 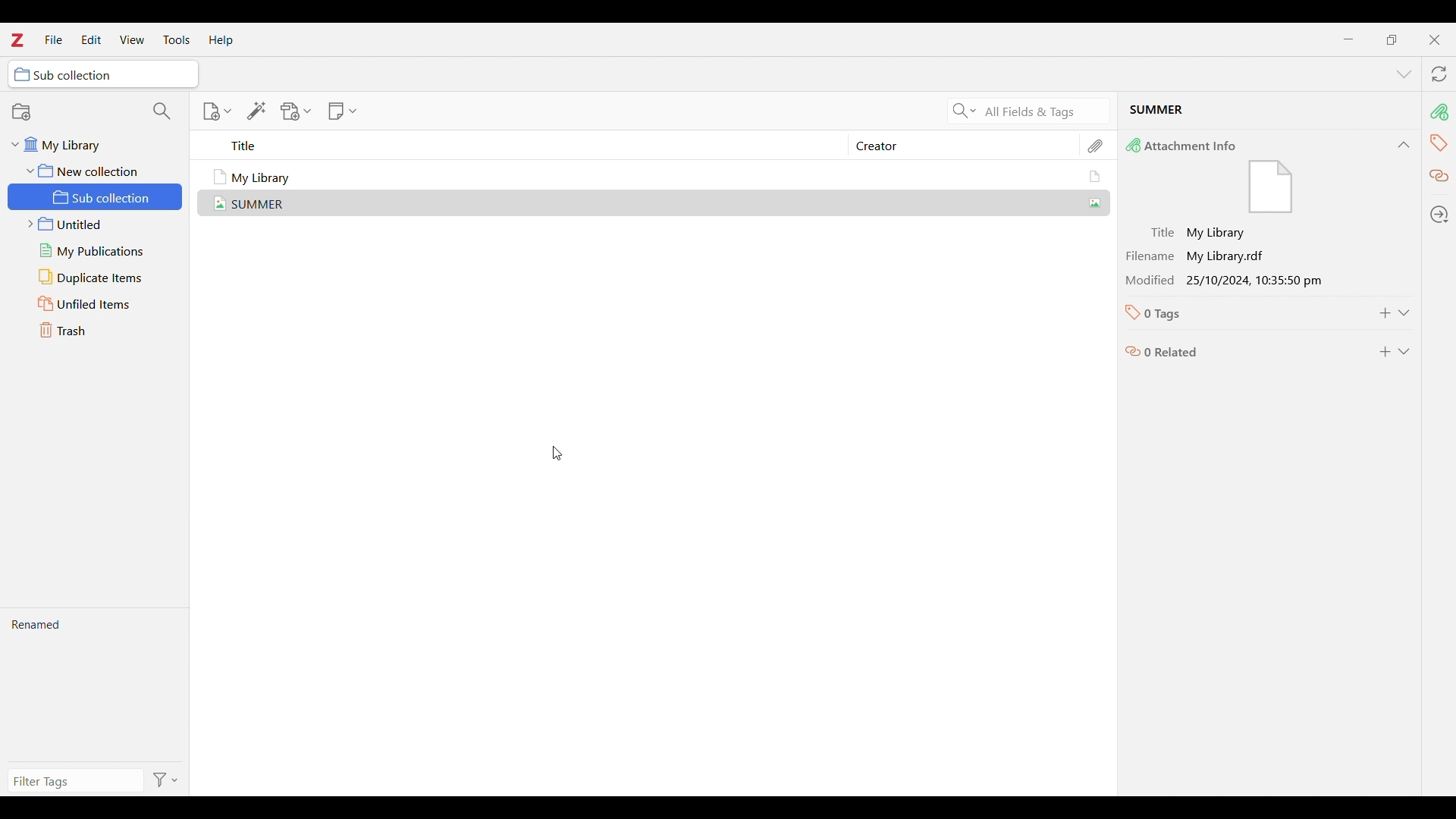 I want to click on Edit menu, so click(x=91, y=39).